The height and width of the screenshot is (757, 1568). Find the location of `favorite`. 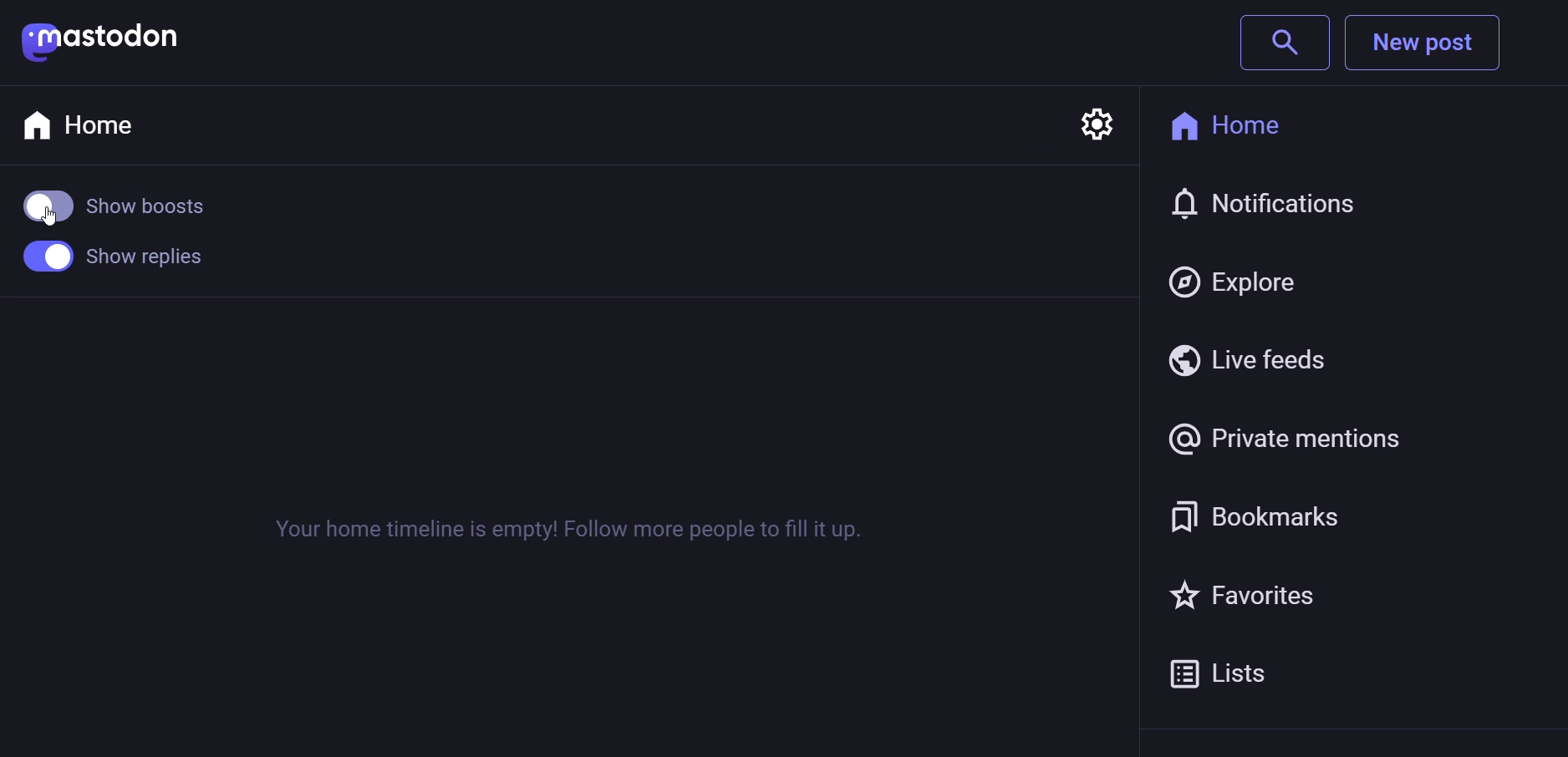

favorite is located at coordinates (1252, 592).